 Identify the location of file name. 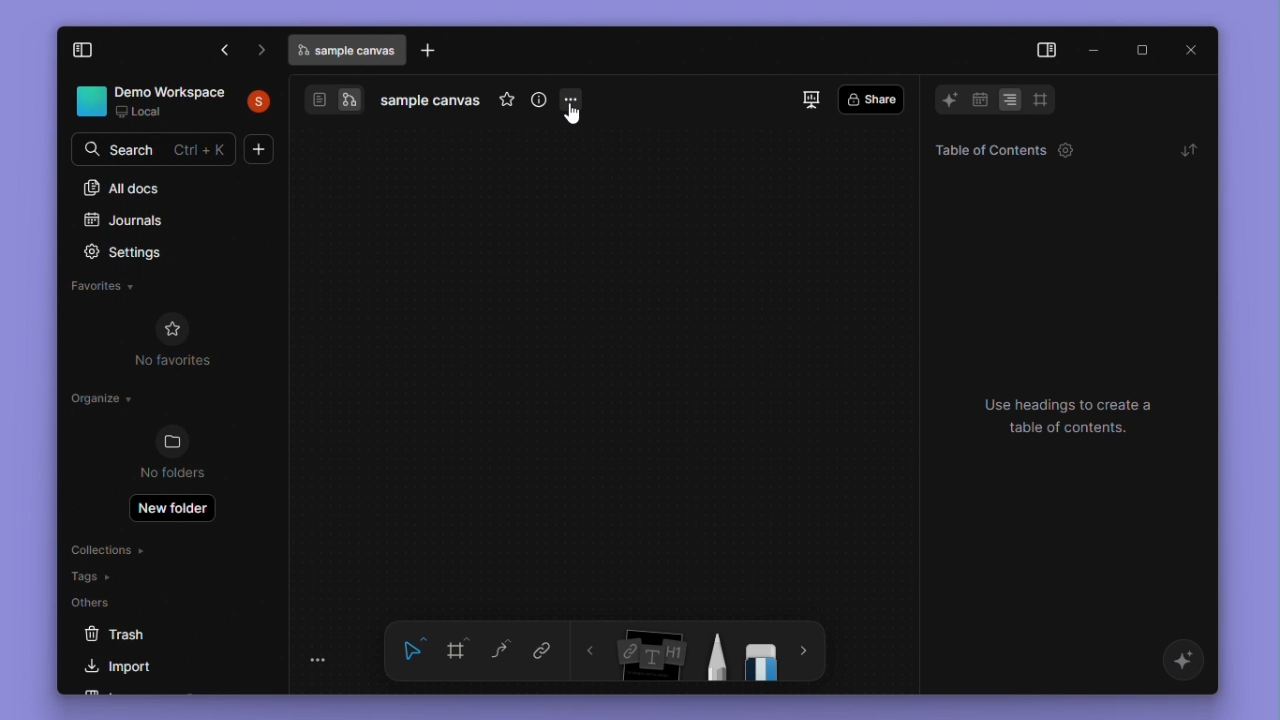
(348, 50).